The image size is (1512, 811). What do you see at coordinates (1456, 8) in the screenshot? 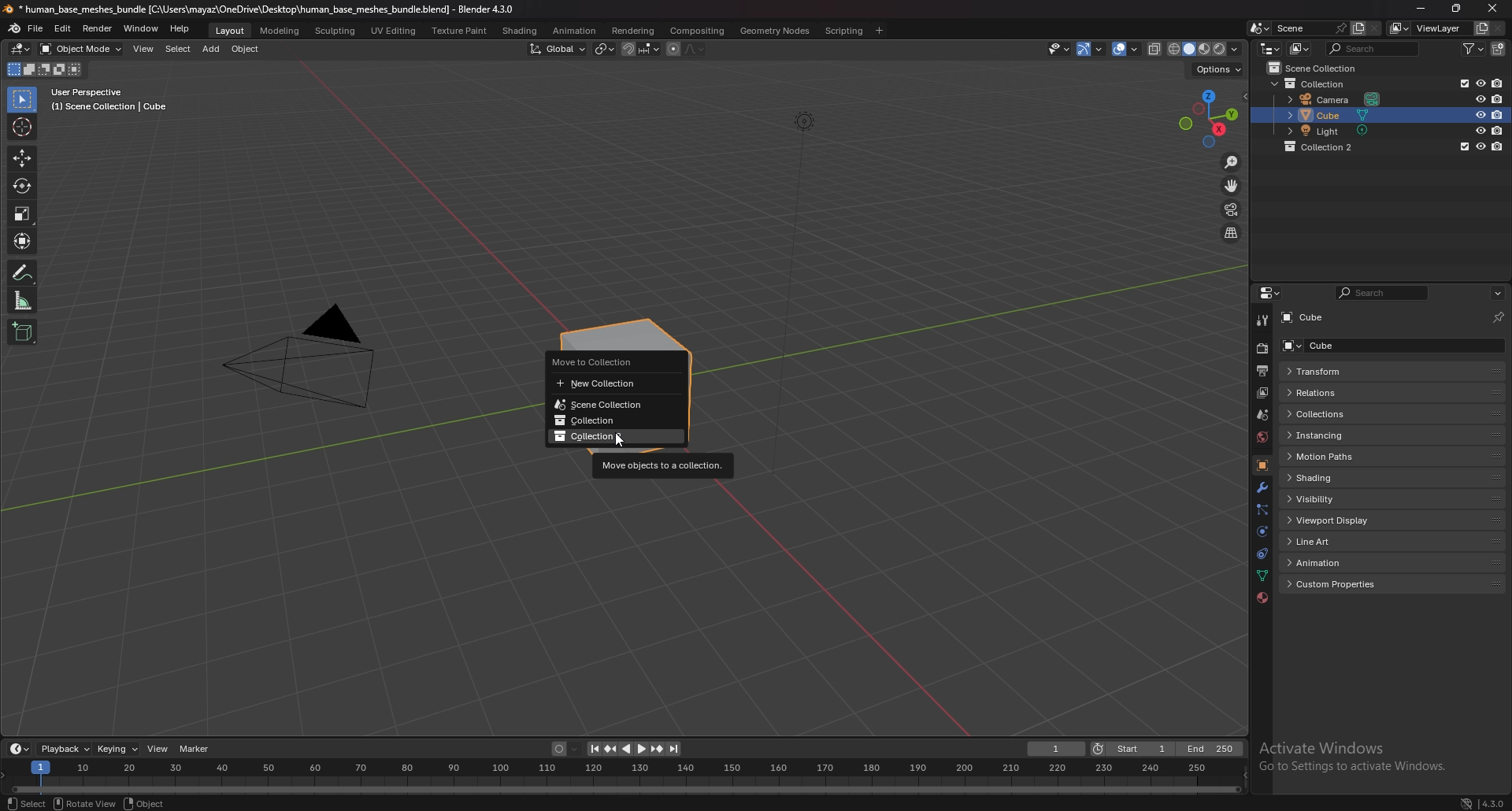
I see `resize` at bounding box center [1456, 8].